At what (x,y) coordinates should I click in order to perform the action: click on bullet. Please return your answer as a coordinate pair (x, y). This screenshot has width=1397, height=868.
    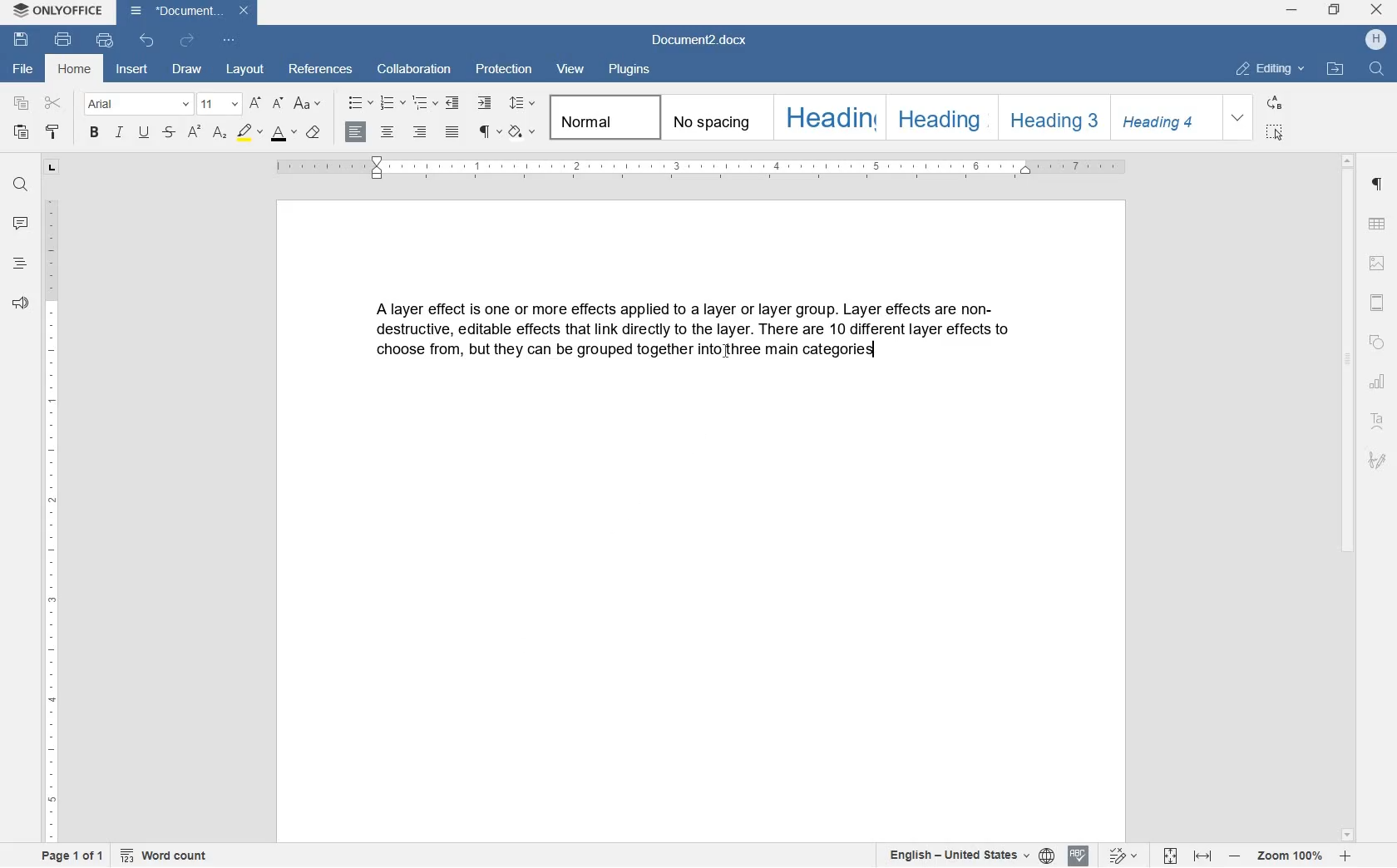
    Looking at the image, I should click on (359, 103).